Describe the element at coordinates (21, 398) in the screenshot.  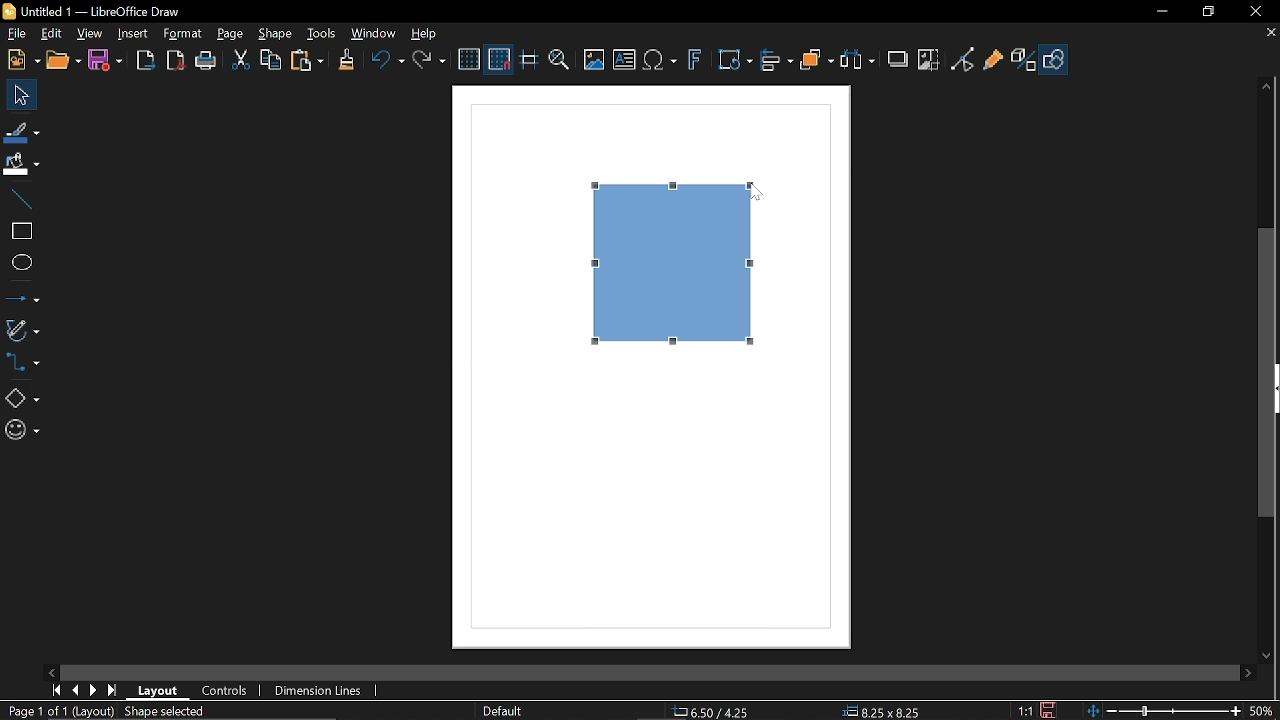
I see `Basic shapes` at that location.